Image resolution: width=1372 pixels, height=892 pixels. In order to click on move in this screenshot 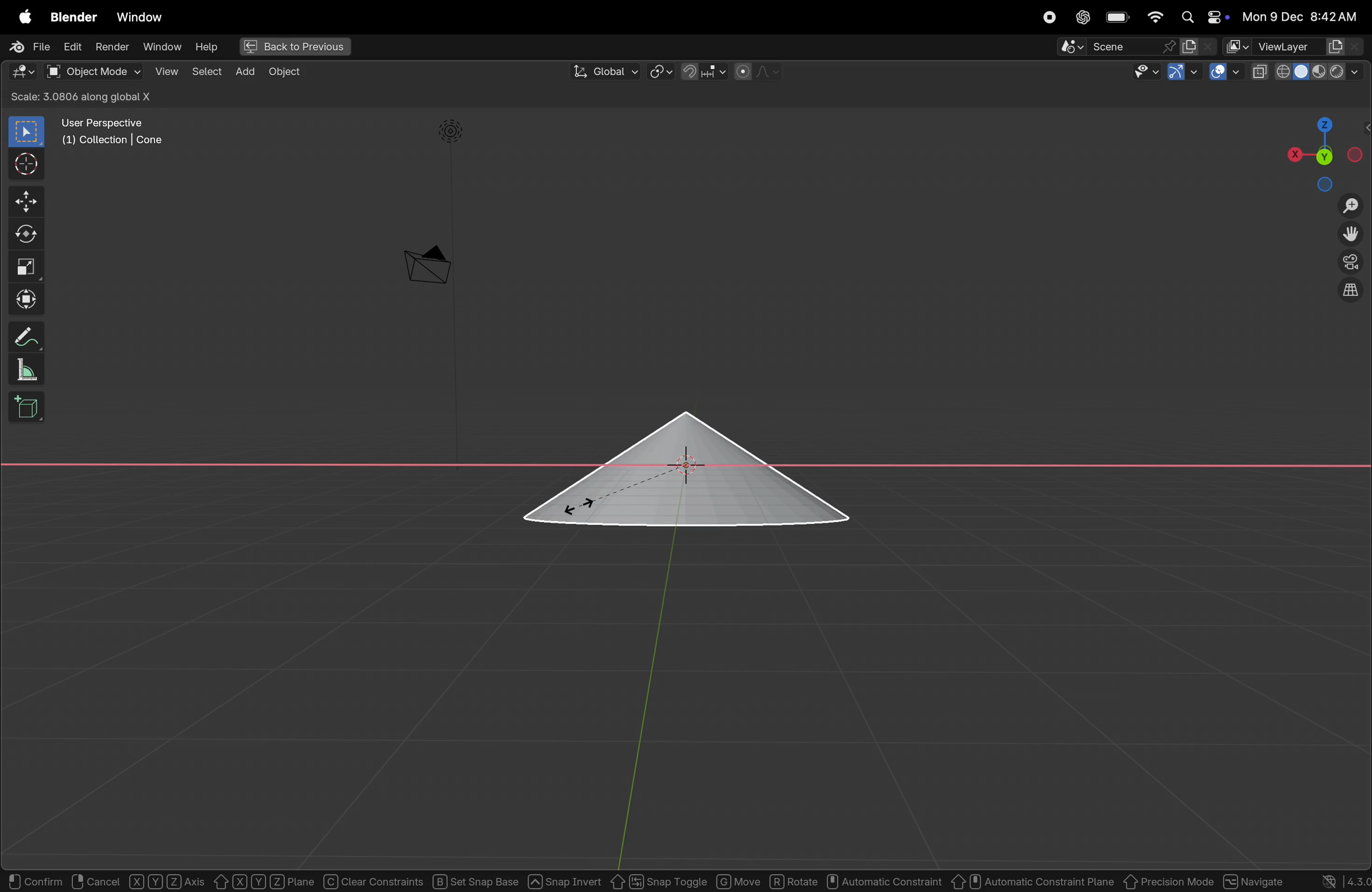, I will do `click(24, 201)`.